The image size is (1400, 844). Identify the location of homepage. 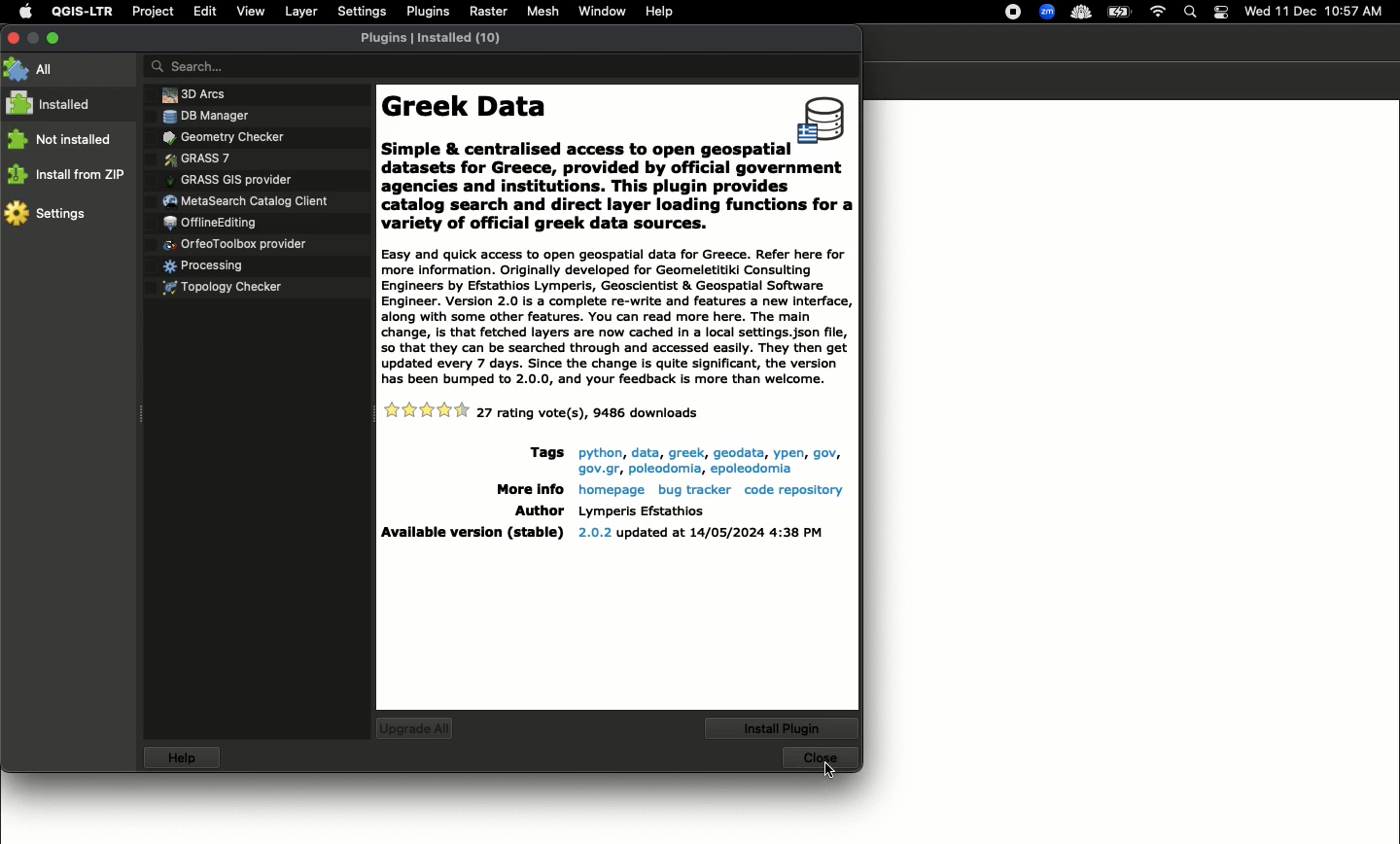
(609, 491).